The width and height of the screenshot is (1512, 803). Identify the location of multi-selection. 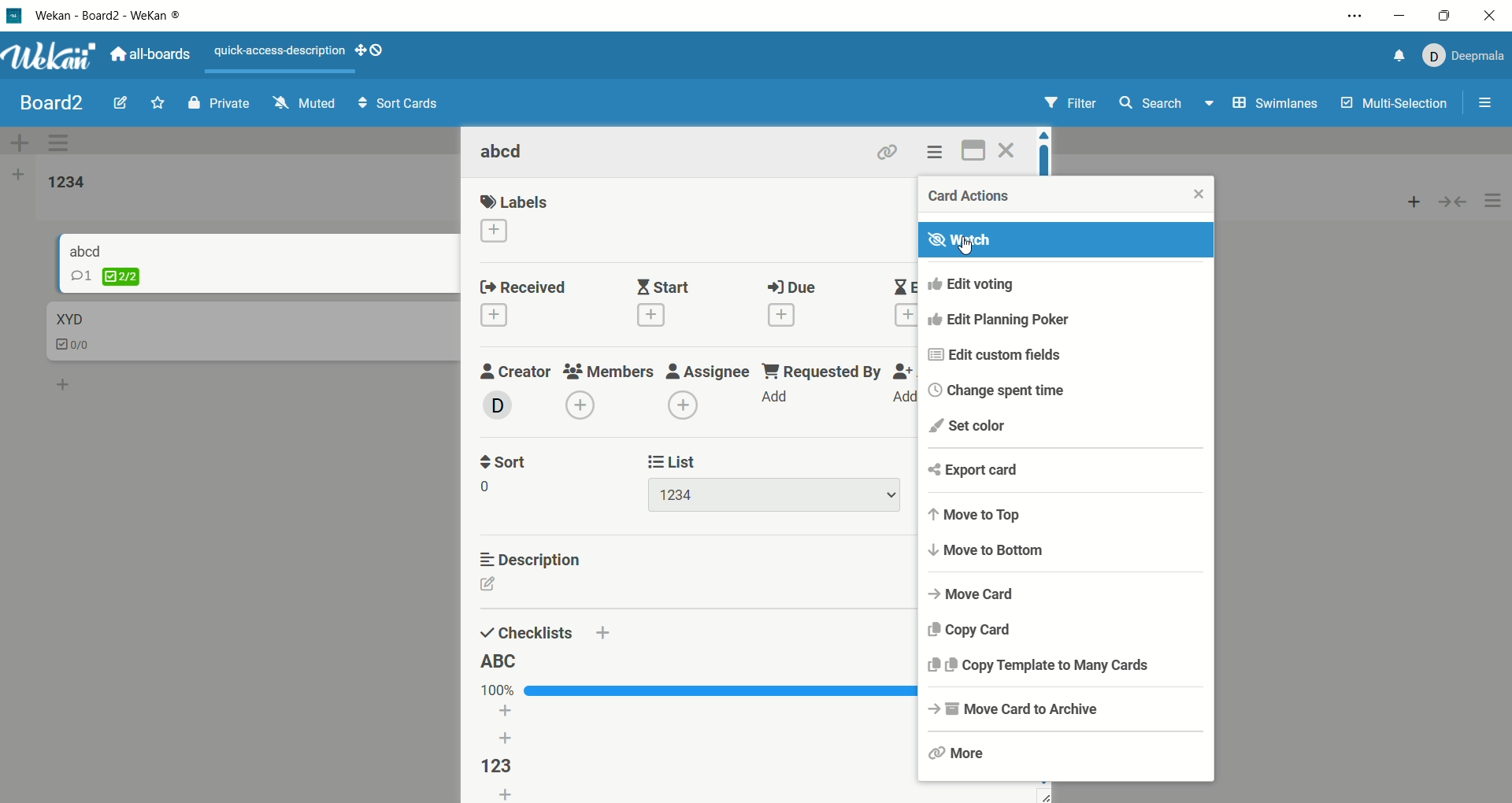
(1393, 110).